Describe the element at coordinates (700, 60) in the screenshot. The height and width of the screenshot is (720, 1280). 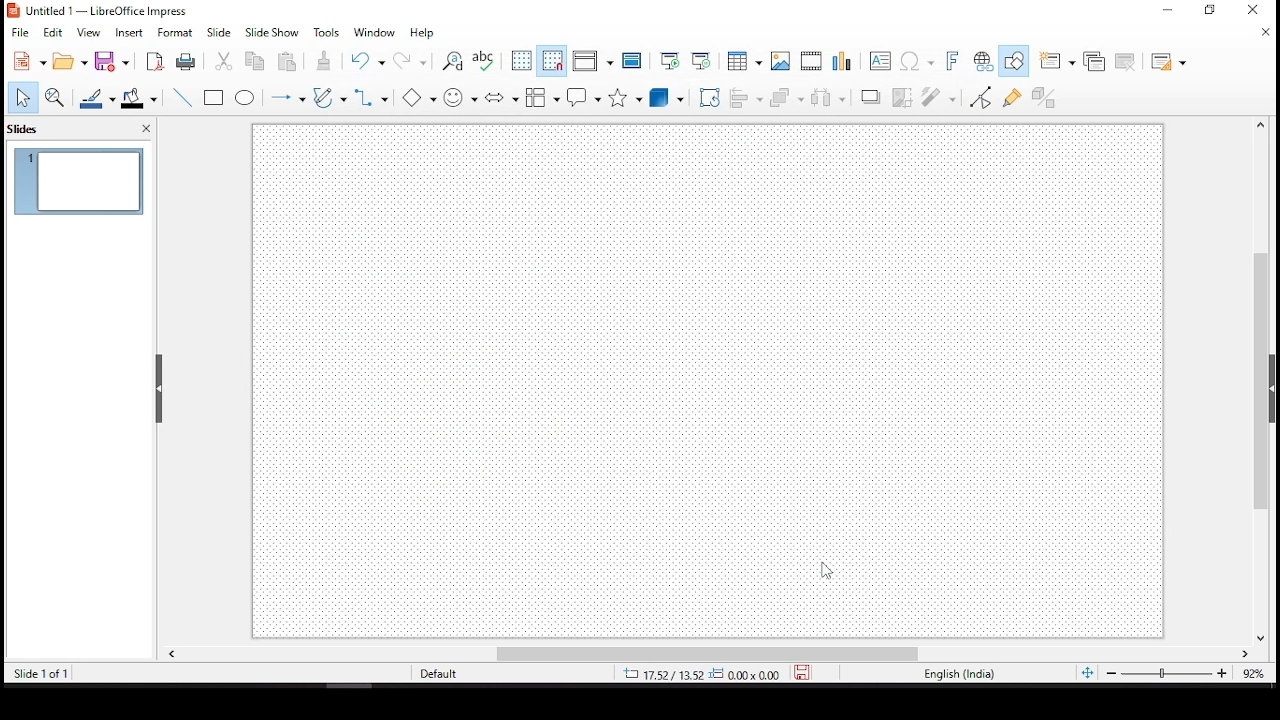
I see `start from current slide` at that location.